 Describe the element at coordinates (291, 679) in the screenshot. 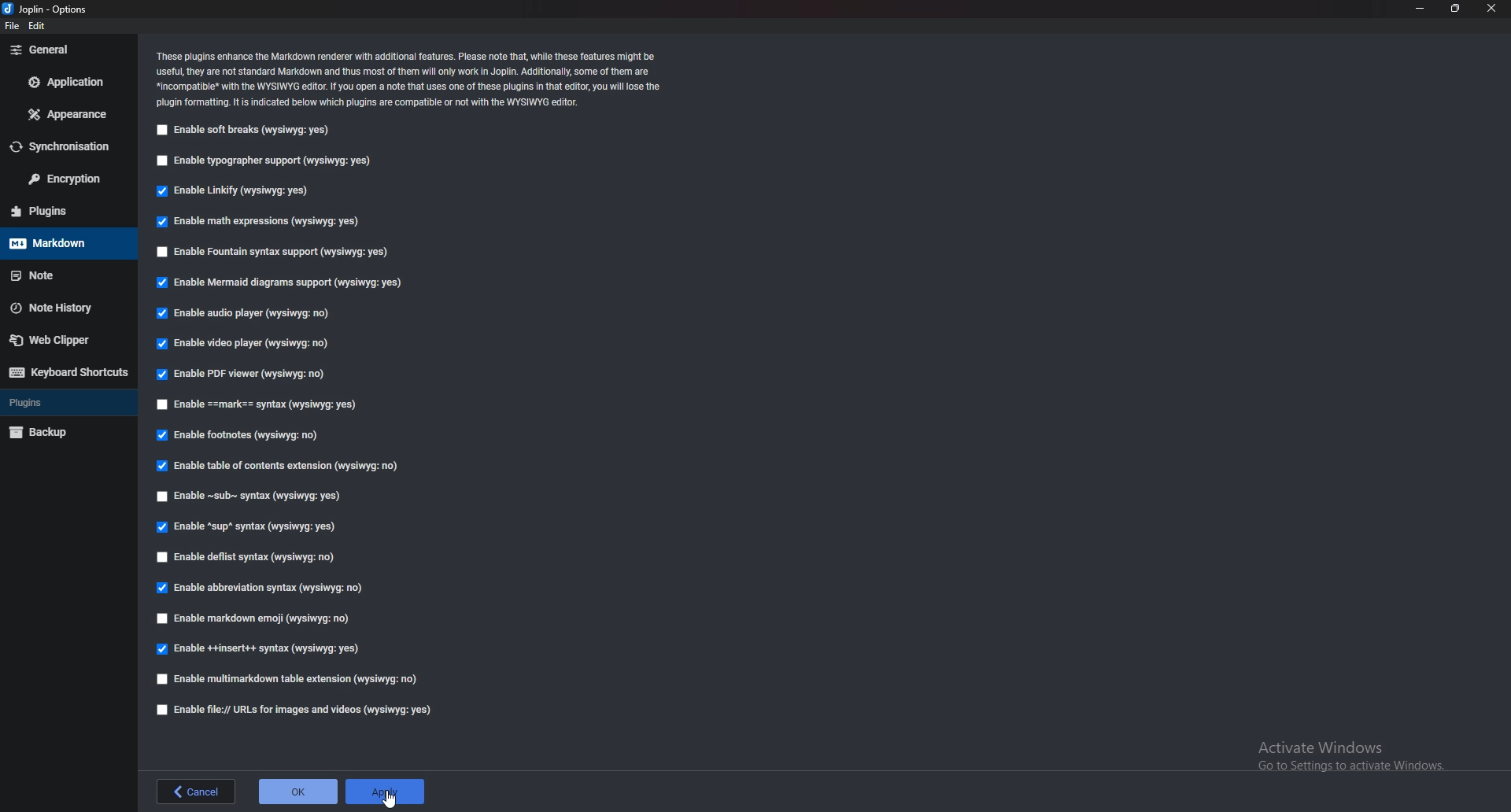

I see `Enable multi markdown table` at that location.